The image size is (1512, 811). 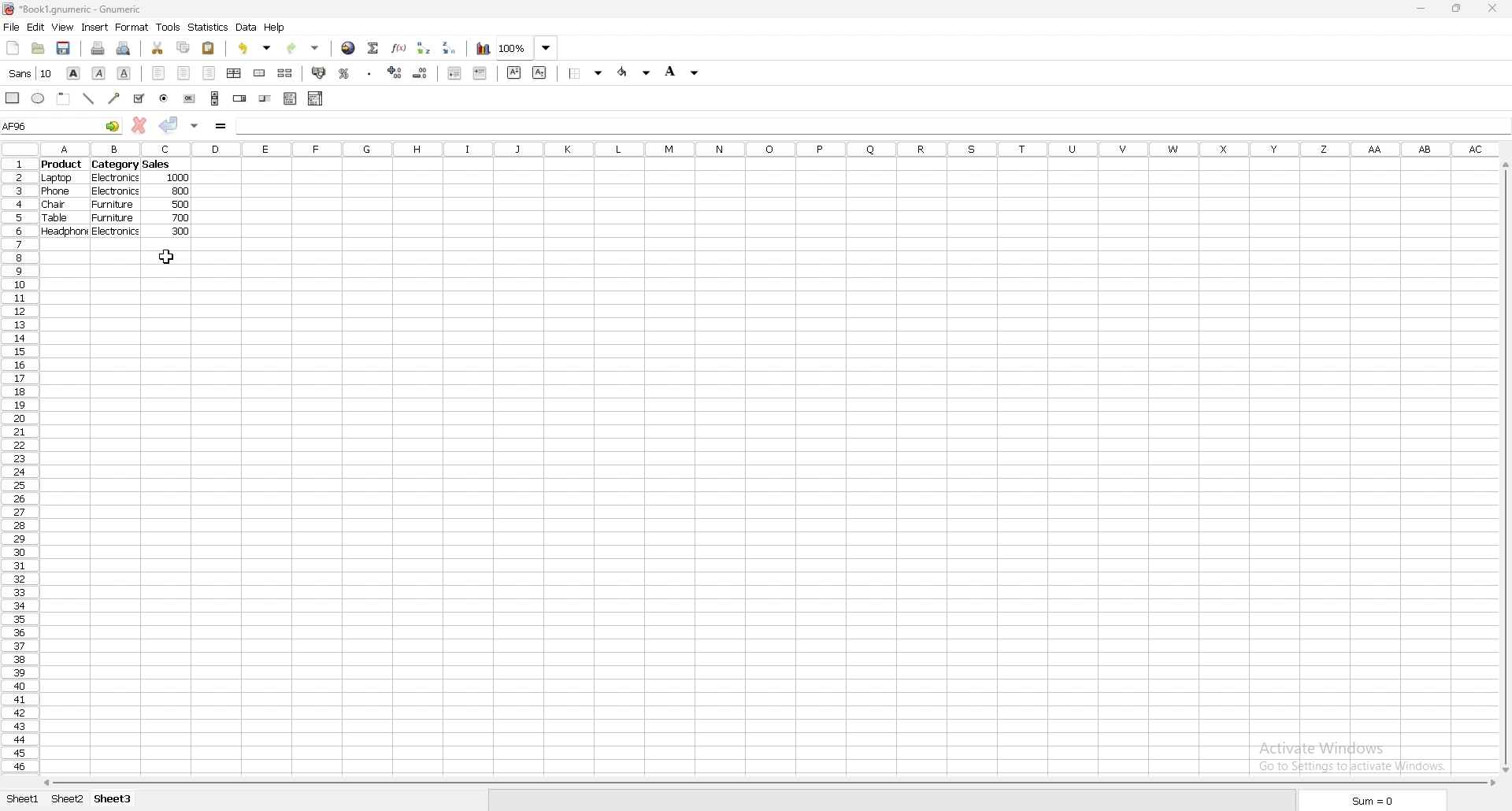 What do you see at coordinates (1506, 465) in the screenshot?
I see `scroll bar` at bounding box center [1506, 465].